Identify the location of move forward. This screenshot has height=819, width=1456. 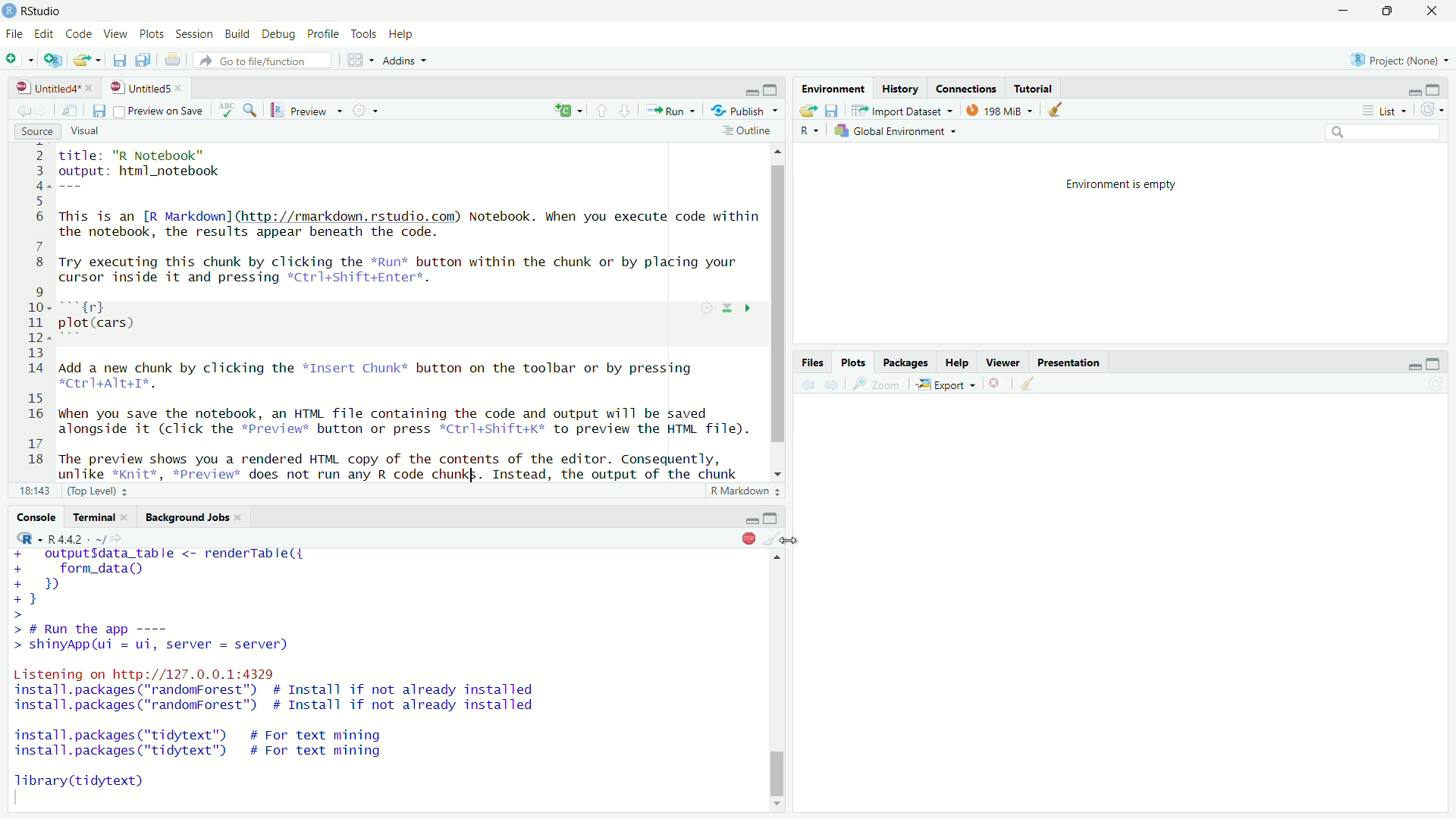
(21, 111).